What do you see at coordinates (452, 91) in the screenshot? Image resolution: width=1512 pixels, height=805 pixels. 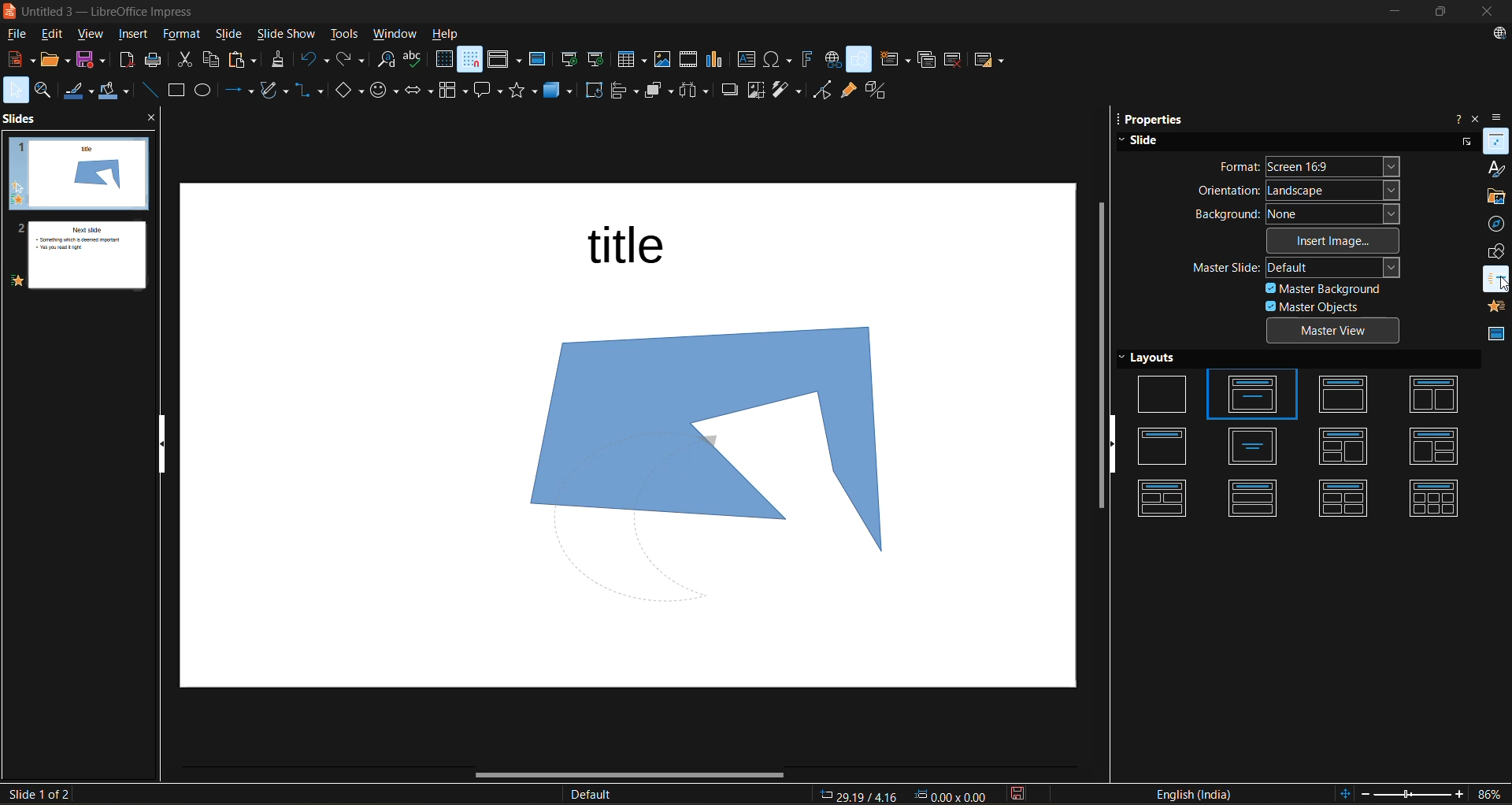 I see `flowchart` at bounding box center [452, 91].